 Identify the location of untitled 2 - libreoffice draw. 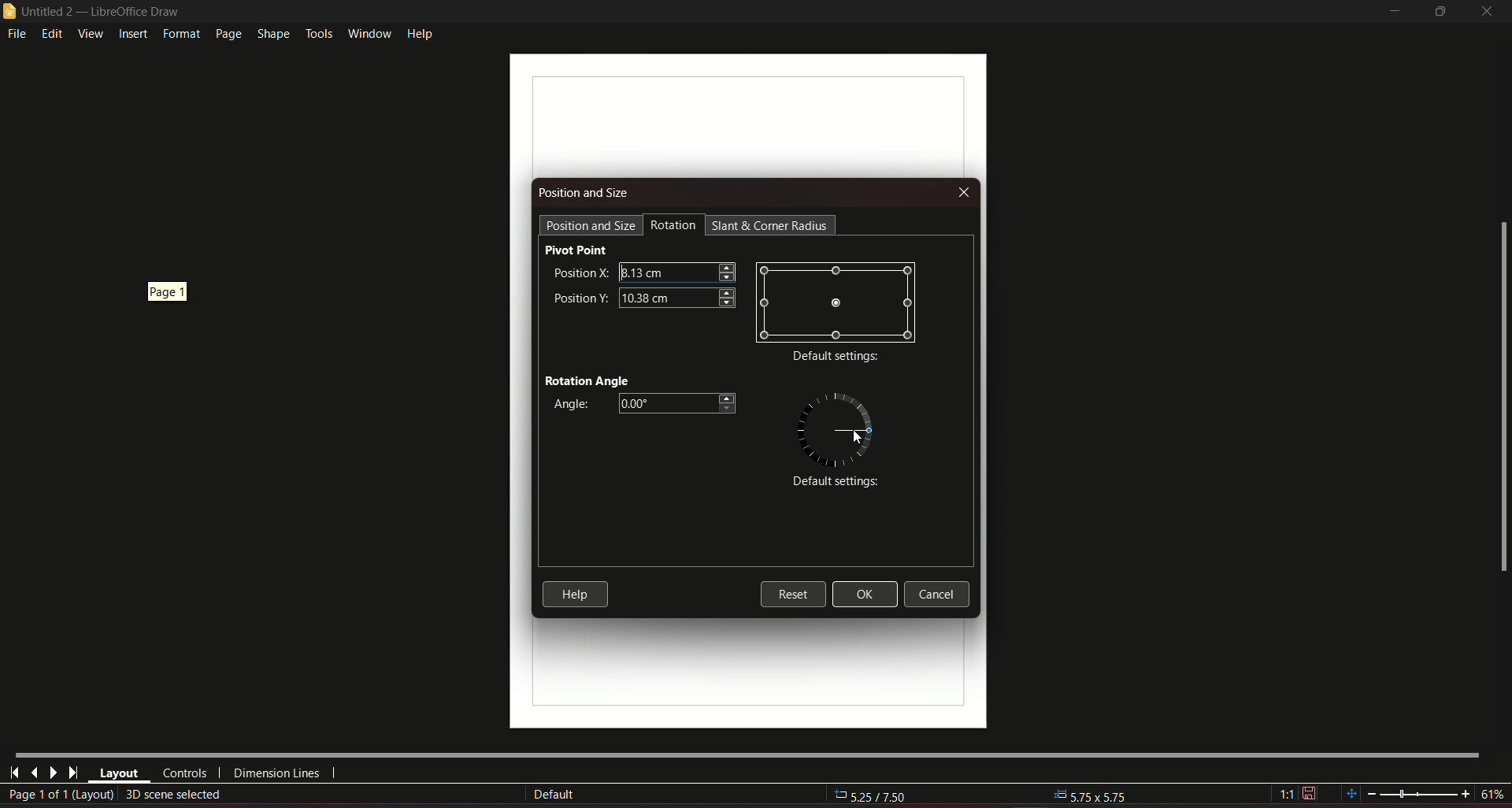
(93, 12).